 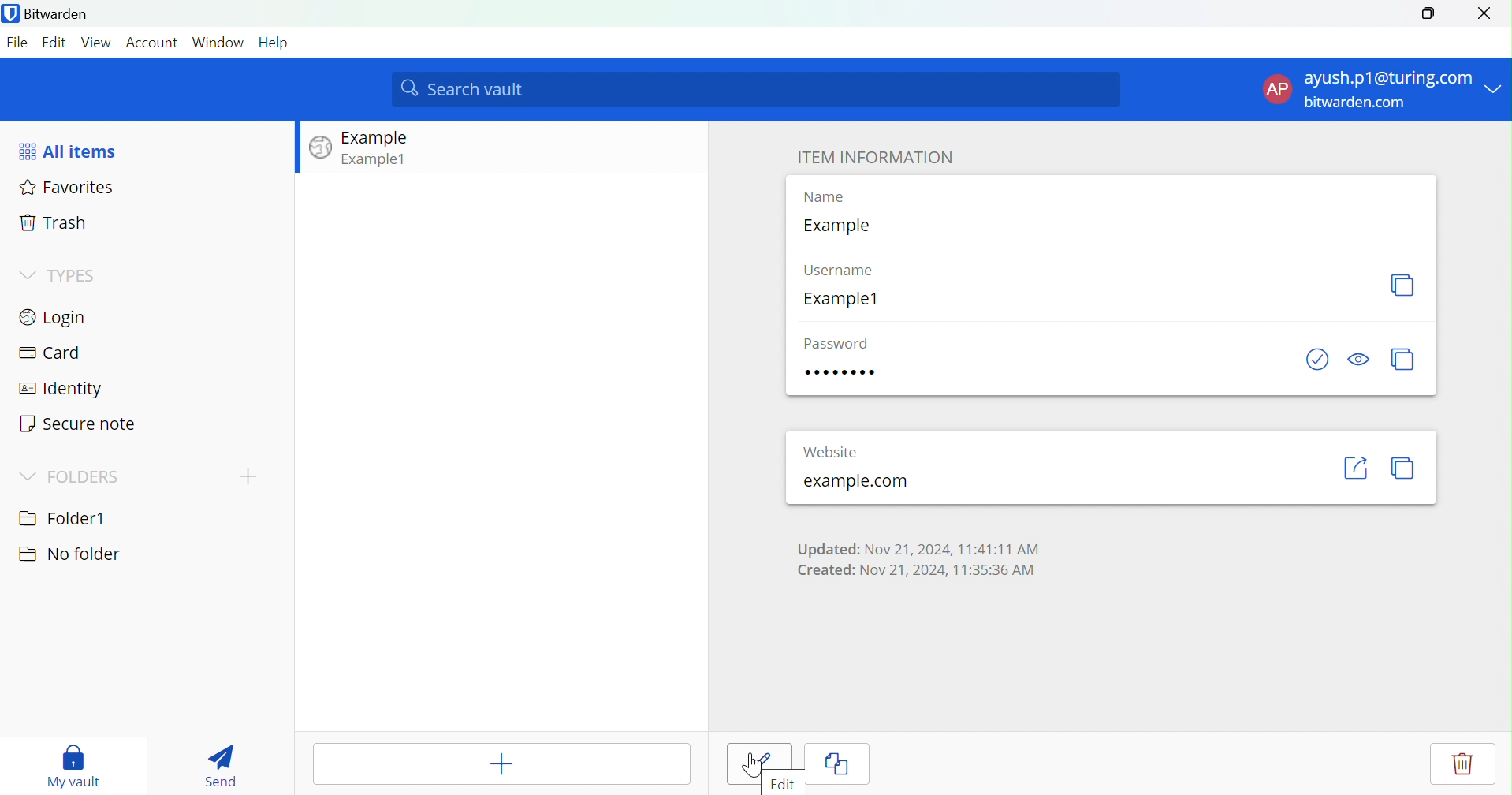 I want to click on Bitwarden, so click(x=50, y=15).